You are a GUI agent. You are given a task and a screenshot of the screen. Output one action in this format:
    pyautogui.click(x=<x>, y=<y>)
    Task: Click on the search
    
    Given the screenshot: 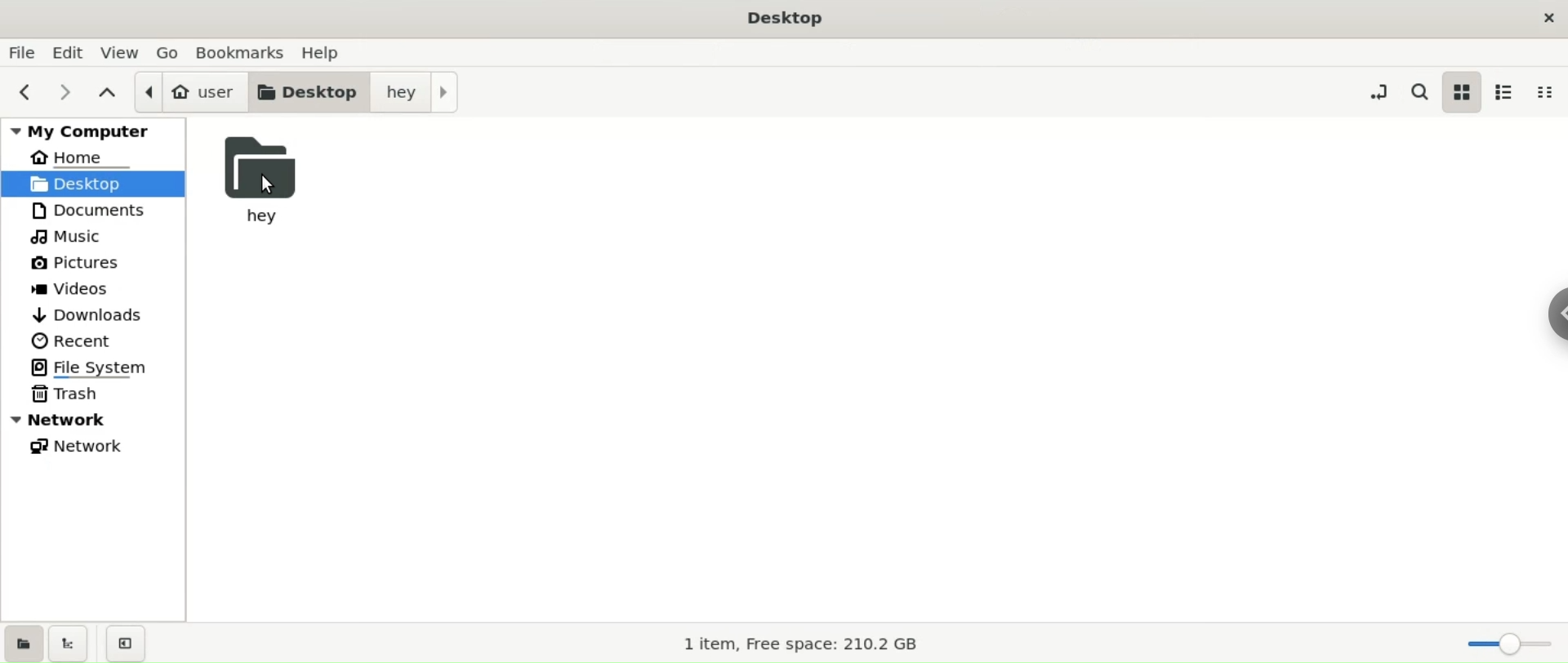 What is the action you would take?
    pyautogui.click(x=1418, y=91)
    